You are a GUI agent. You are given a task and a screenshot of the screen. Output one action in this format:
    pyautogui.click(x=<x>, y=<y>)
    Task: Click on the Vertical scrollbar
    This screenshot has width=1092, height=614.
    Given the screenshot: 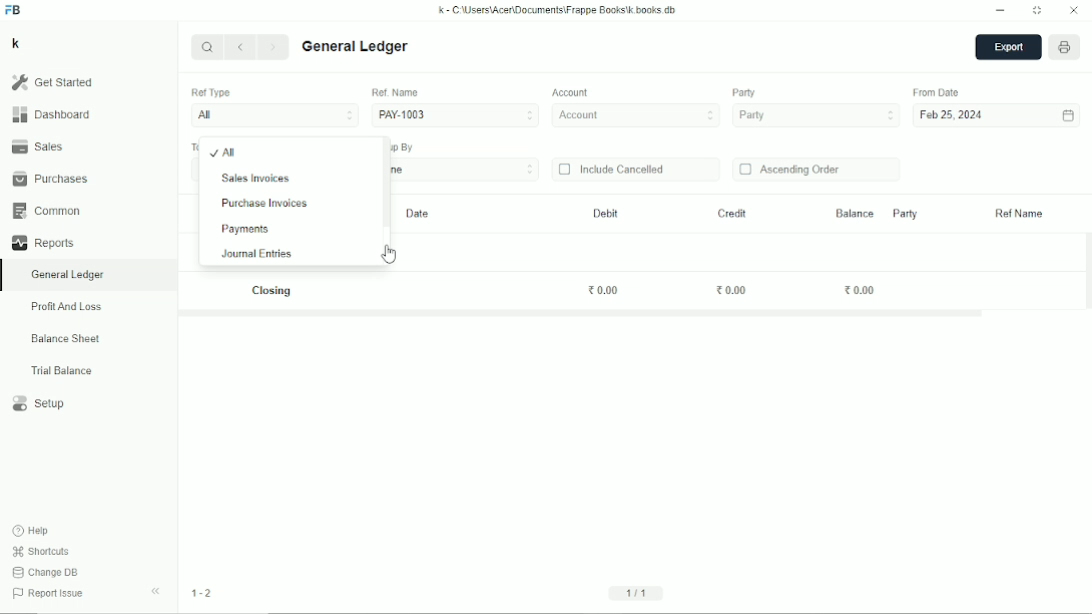 What is the action you would take?
    pyautogui.click(x=388, y=183)
    